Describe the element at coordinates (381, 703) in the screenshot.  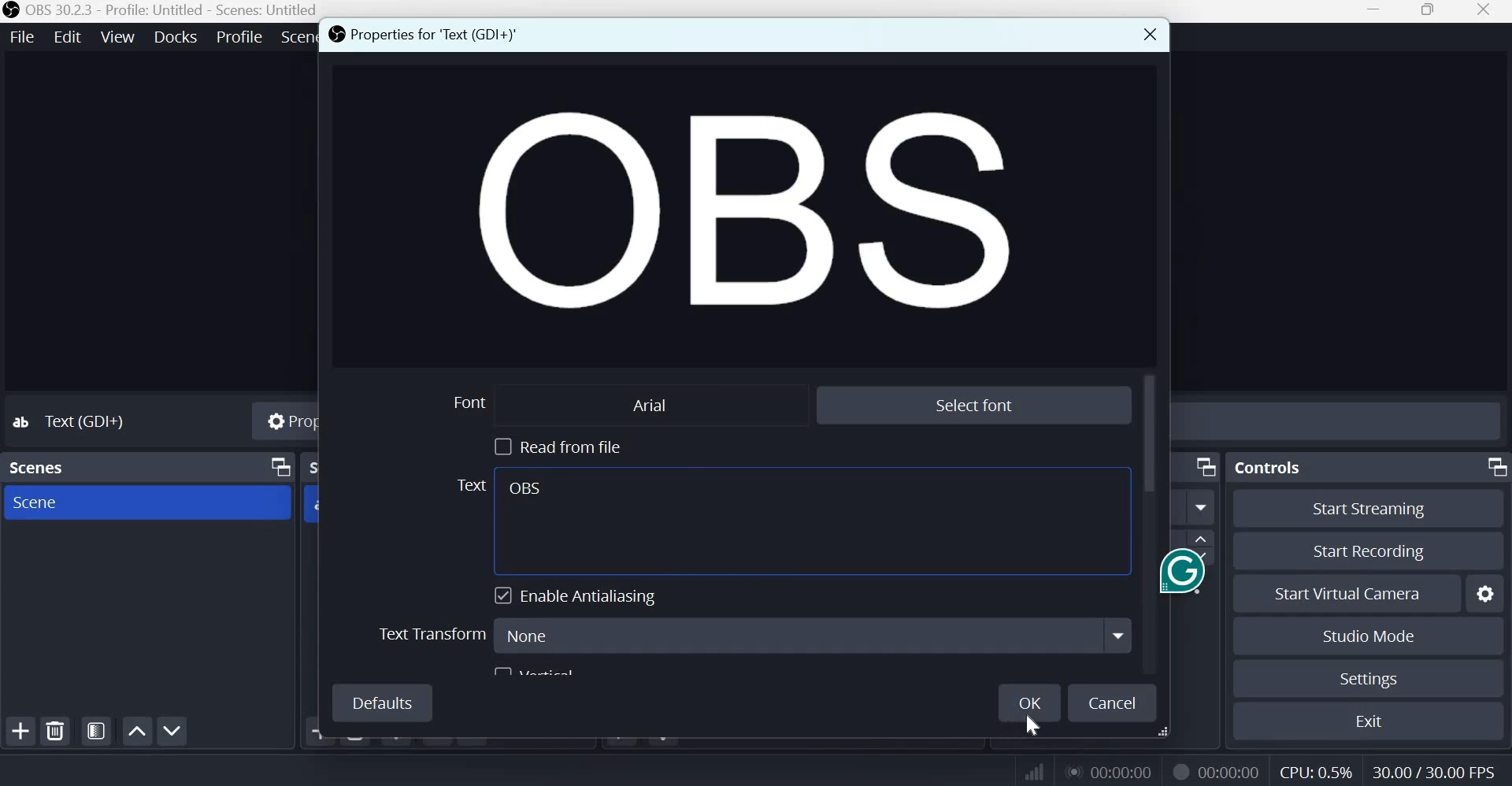
I see `Defaults` at that location.